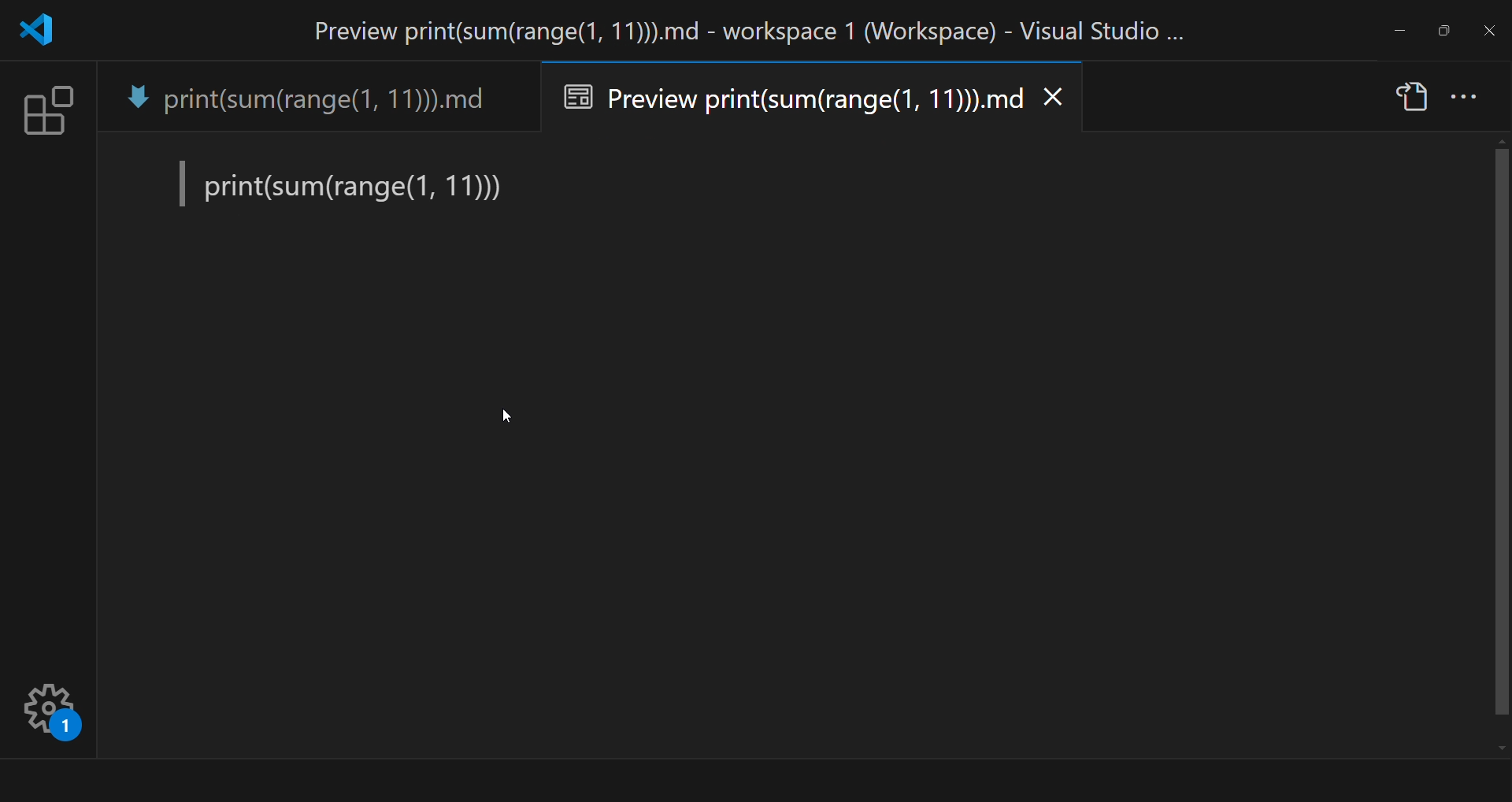 Image resolution: width=1512 pixels, height=802 pixels. I want to click on Cursor, so click(505, 410).